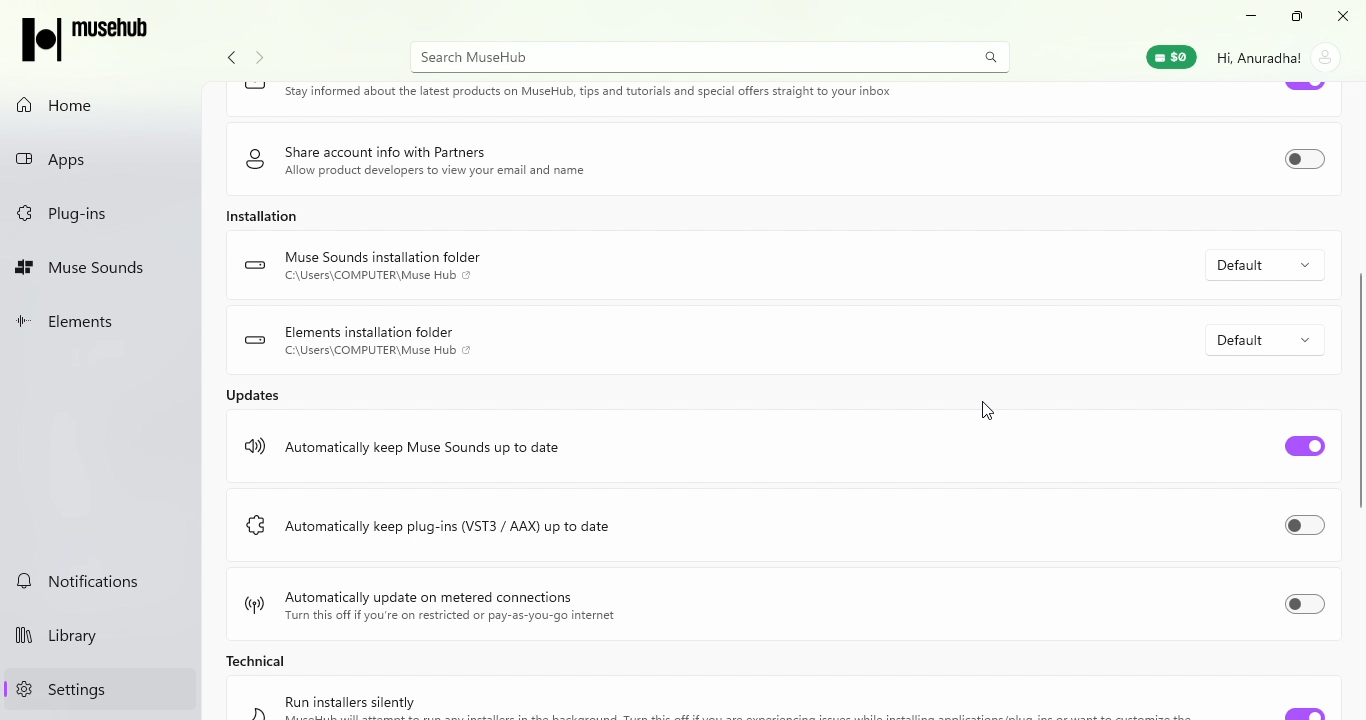 The image size is (1366, 720). I want to click on Hi, Anuradha!, so click(1259, 58).